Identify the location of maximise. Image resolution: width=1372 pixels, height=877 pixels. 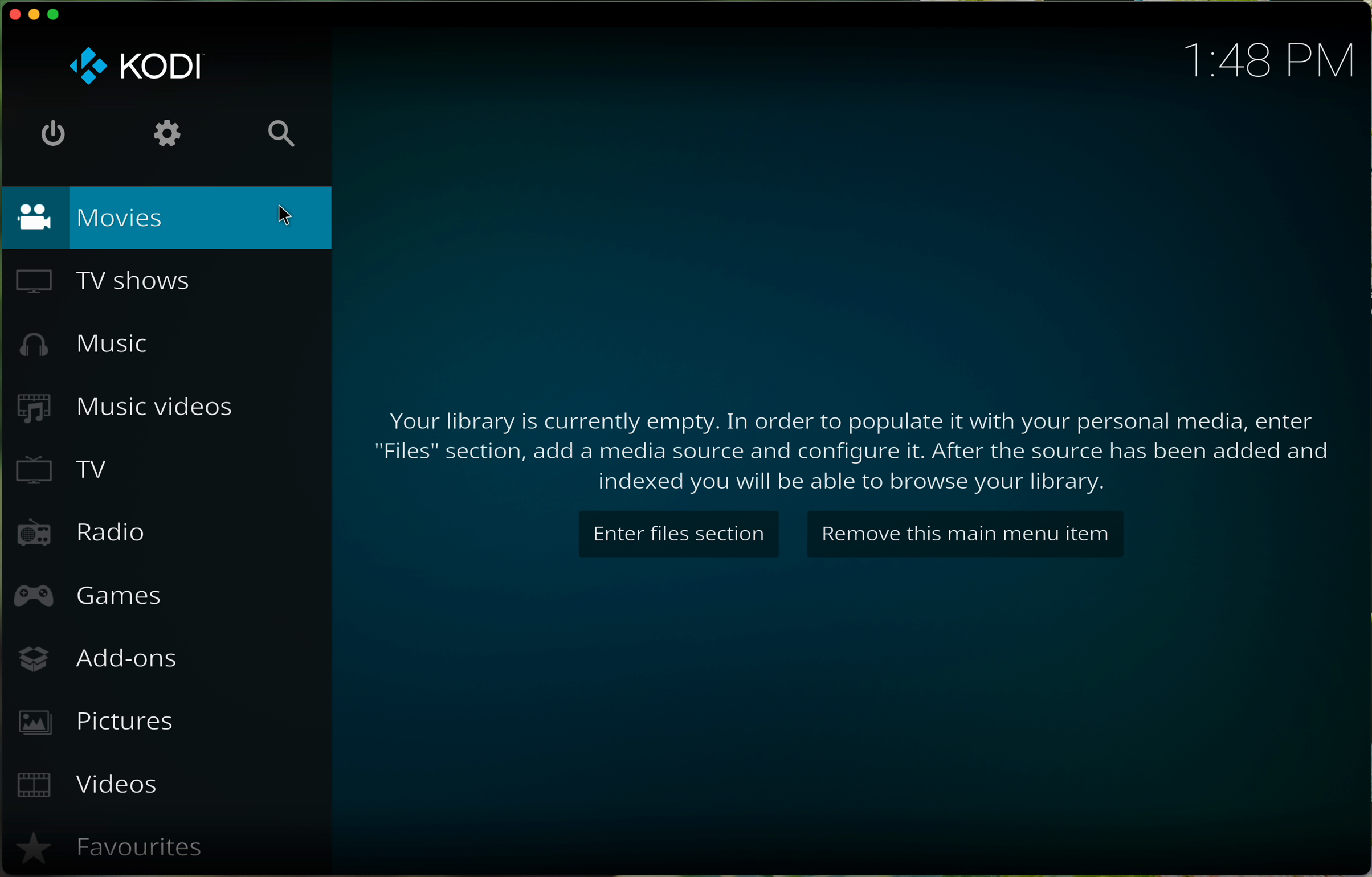
(57, 15).